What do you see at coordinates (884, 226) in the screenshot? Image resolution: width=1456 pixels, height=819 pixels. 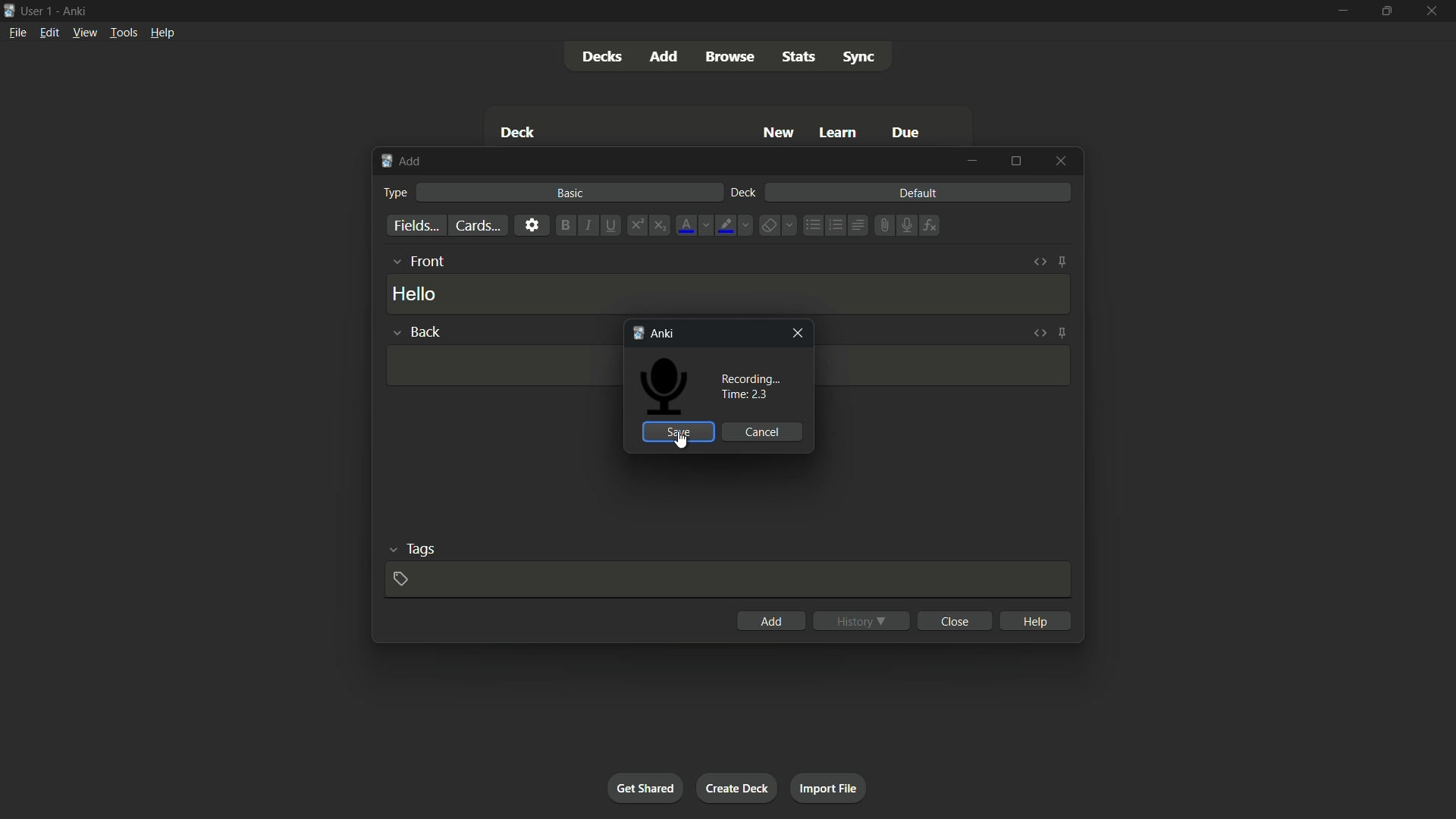 I see `attach file` at bounding box center [884, 226].